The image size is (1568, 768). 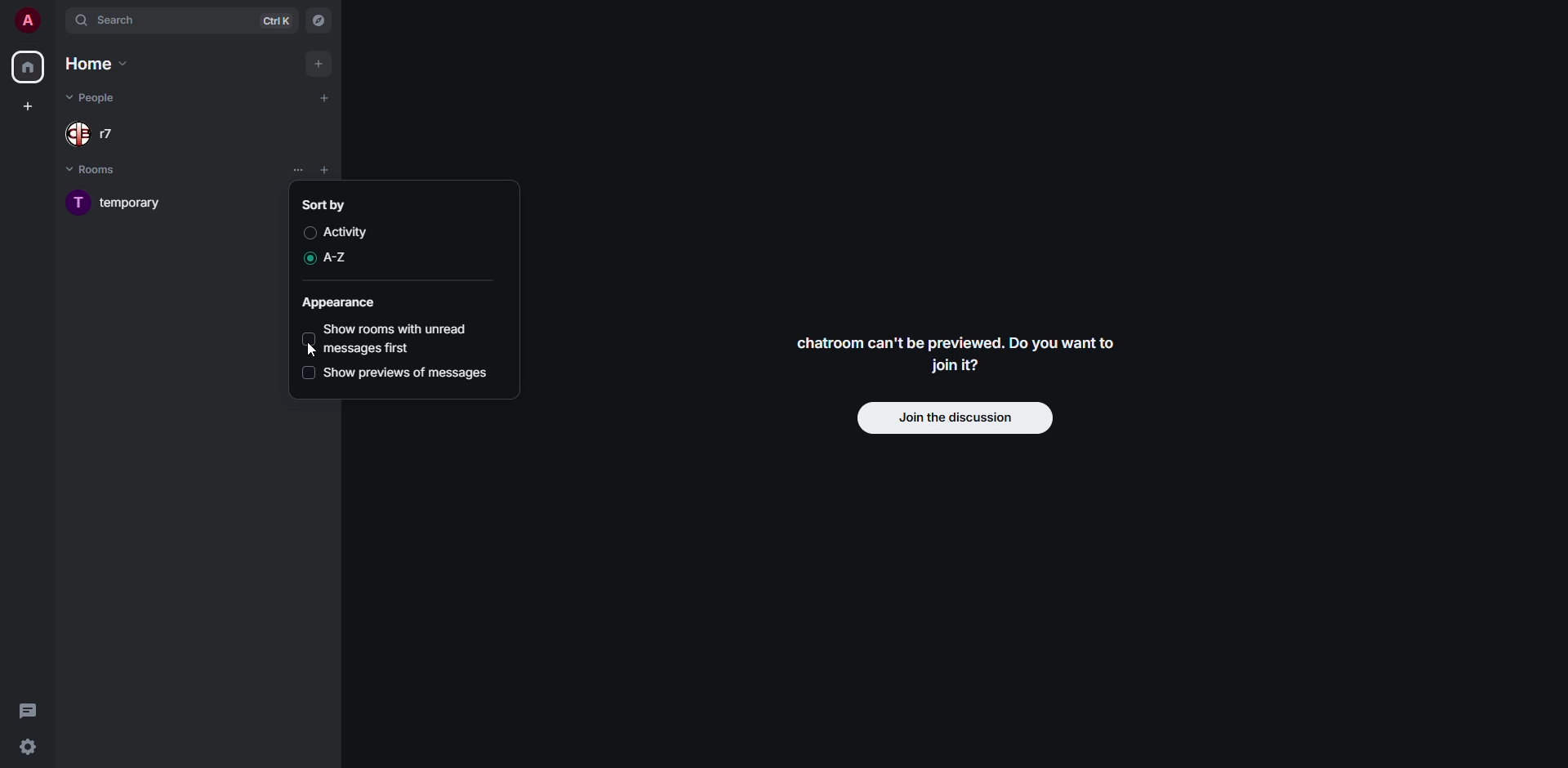 What do you see at coordinates (28, 21) in the screenshot?
I see `profile` at bounding box center [28, 21].